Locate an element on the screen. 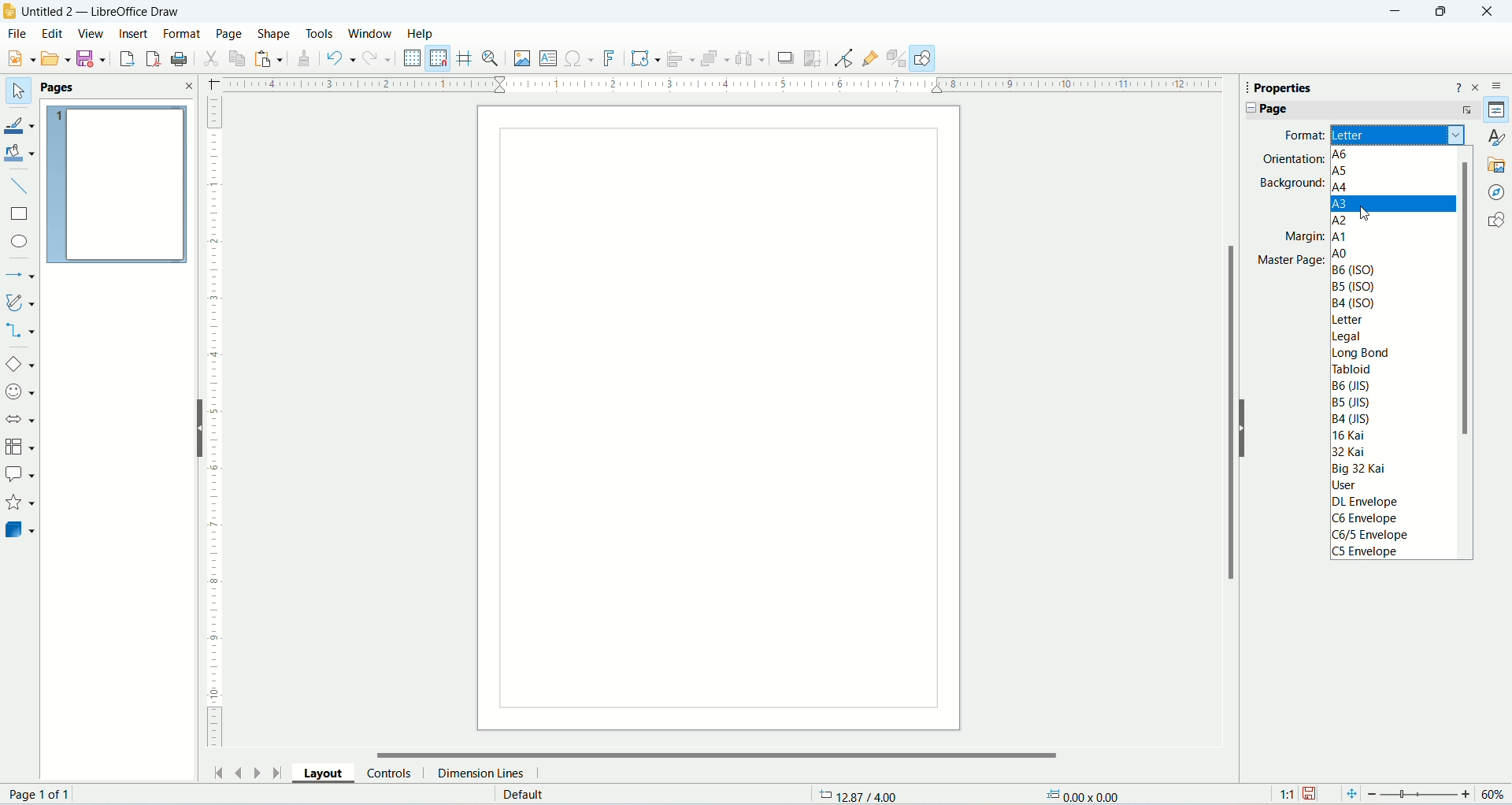  coordinates is located at coordinates (853, 794).